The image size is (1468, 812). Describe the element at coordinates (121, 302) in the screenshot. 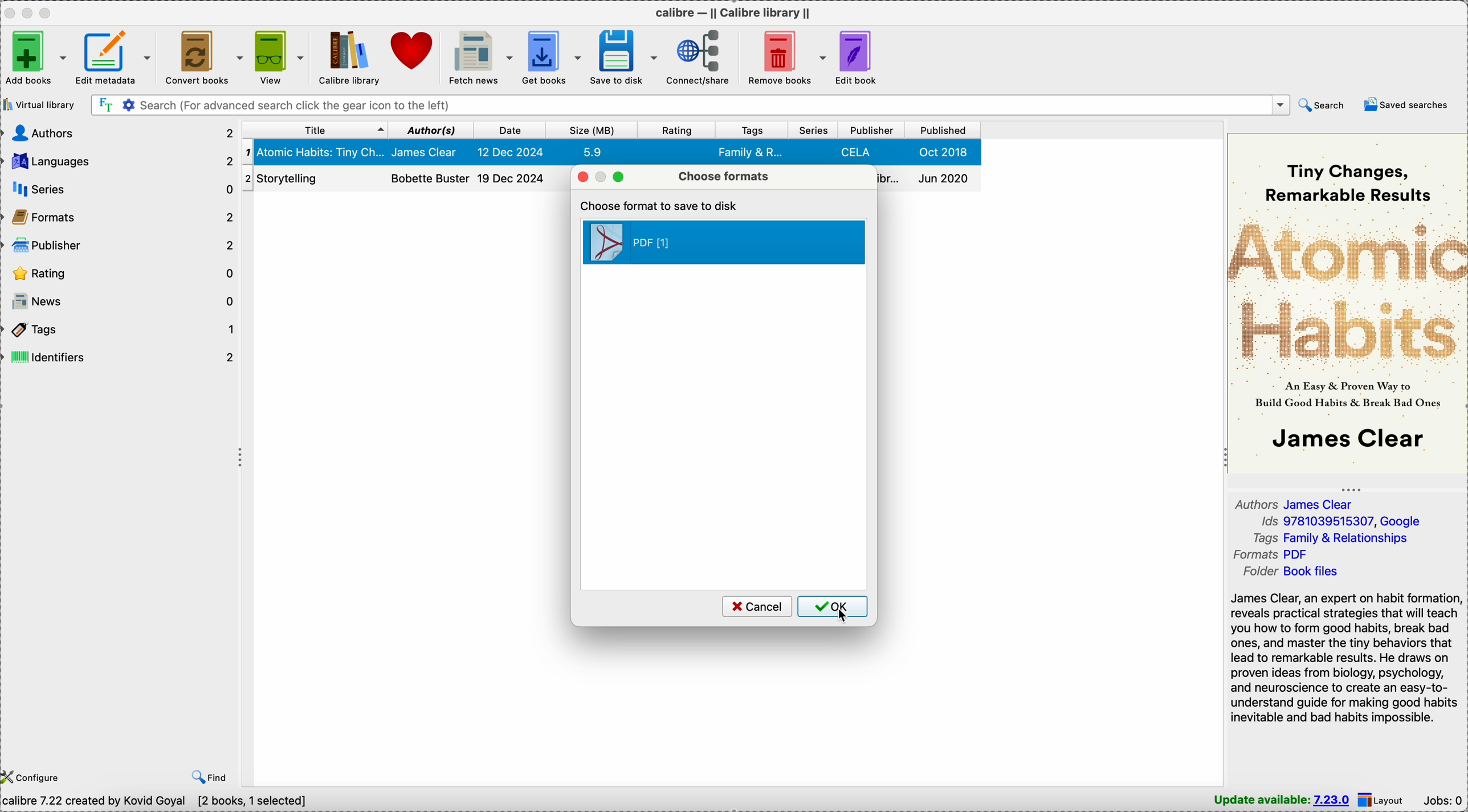

I see `news` at that location.